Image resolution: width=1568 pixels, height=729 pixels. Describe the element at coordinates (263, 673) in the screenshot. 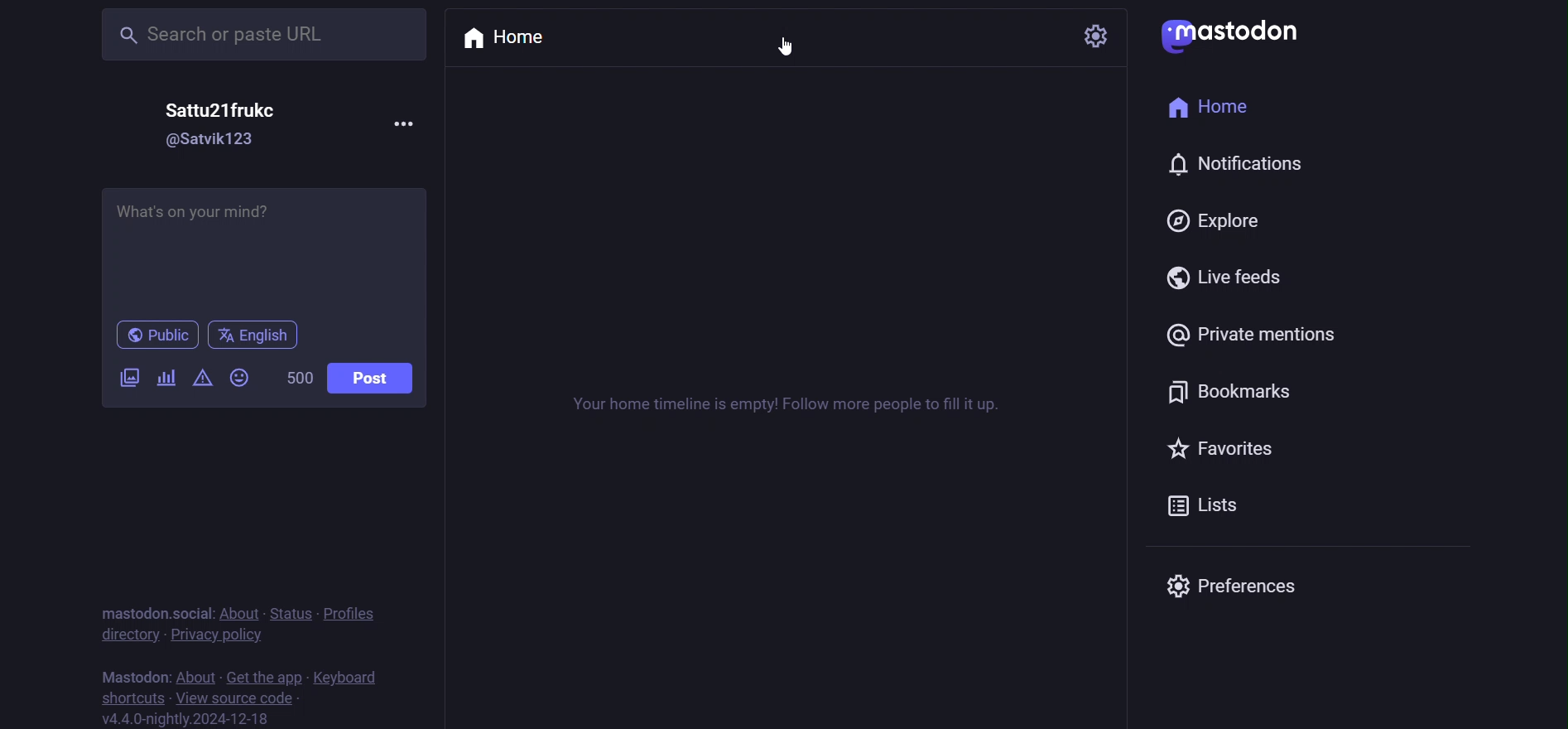

I see `get the app` at that location.